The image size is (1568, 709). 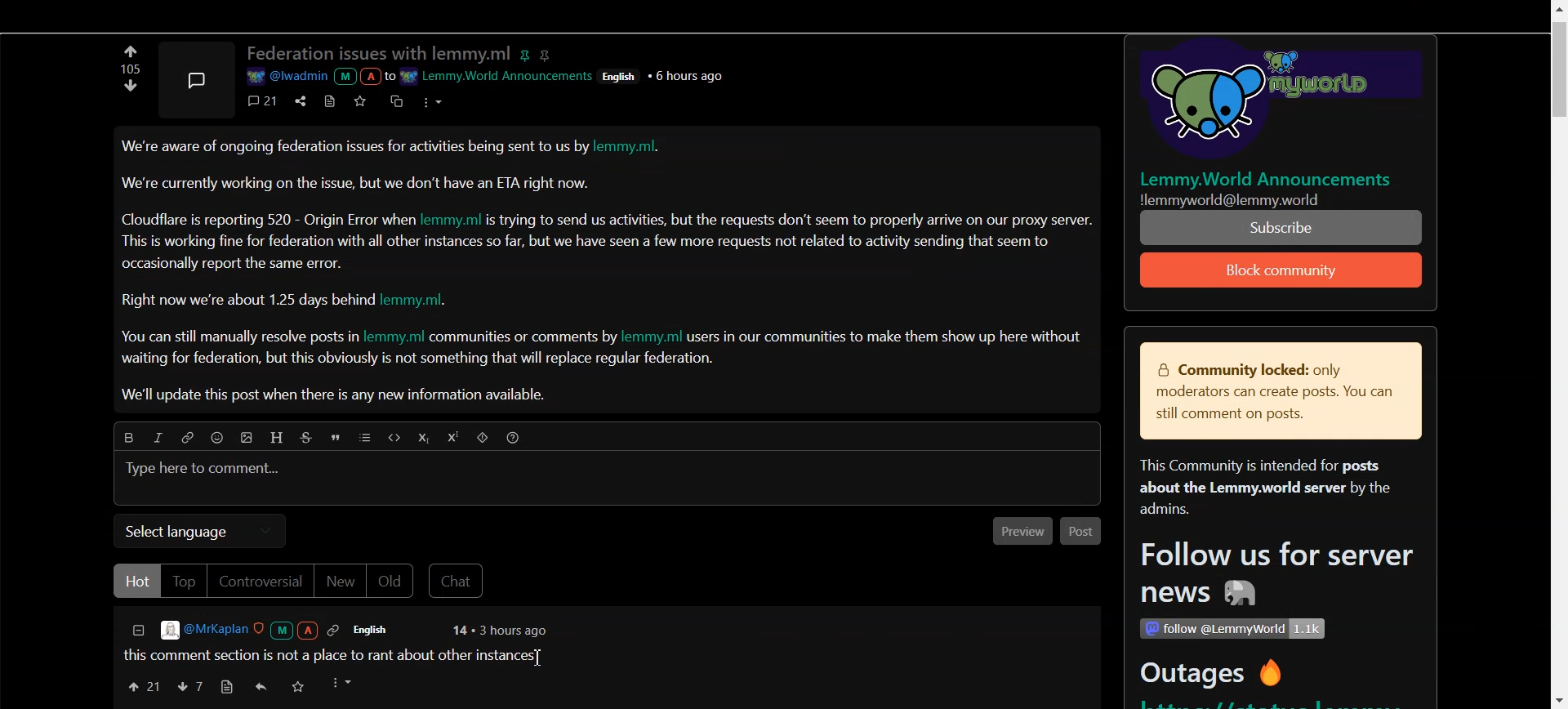 What do you see at coordinates (379, 54) in the screenshot?
I see `Federation issues with lemmy.ml` at bounding box center [379, 54].